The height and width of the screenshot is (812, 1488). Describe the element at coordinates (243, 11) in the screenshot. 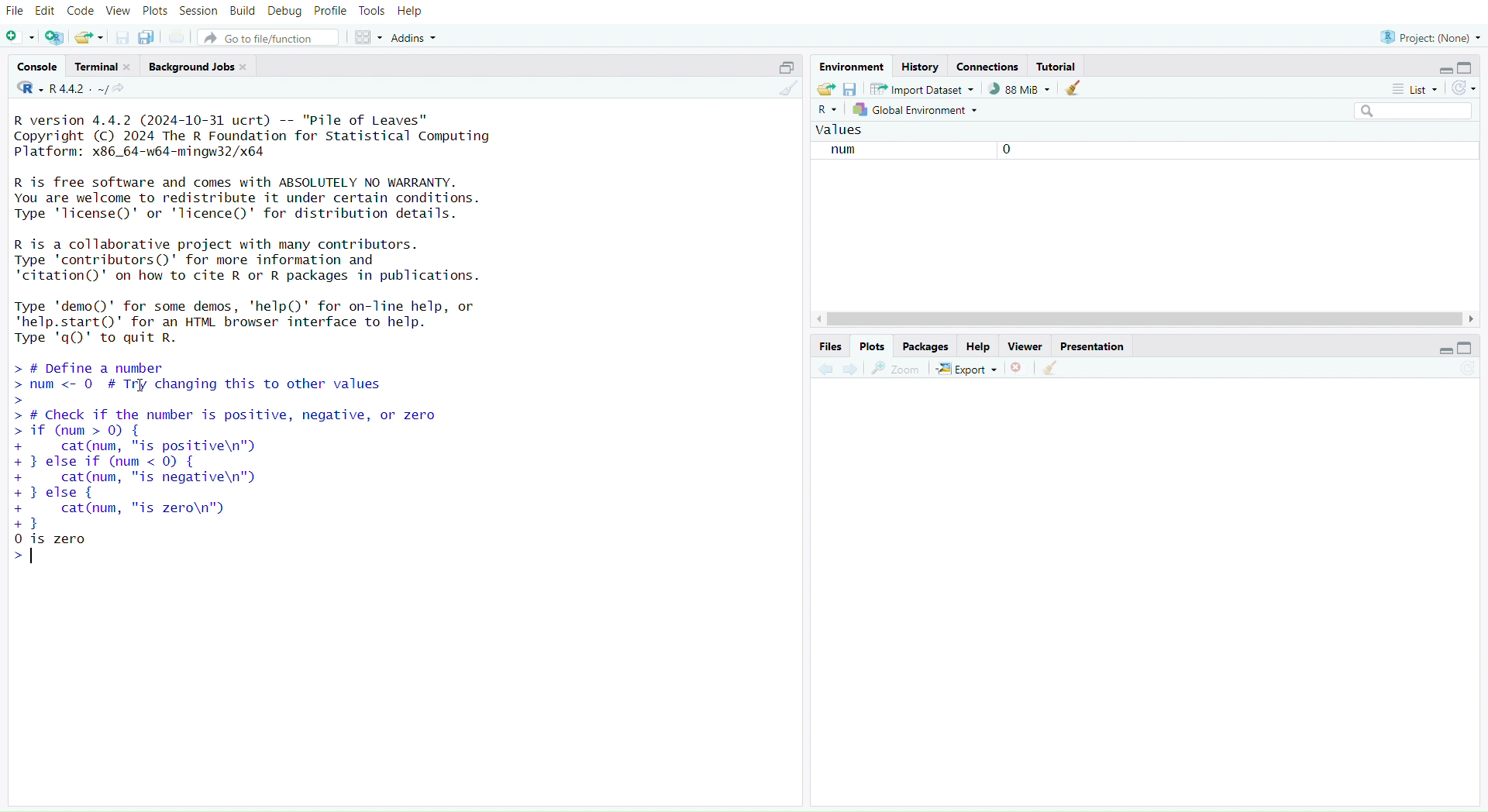

I see `build` at that location.